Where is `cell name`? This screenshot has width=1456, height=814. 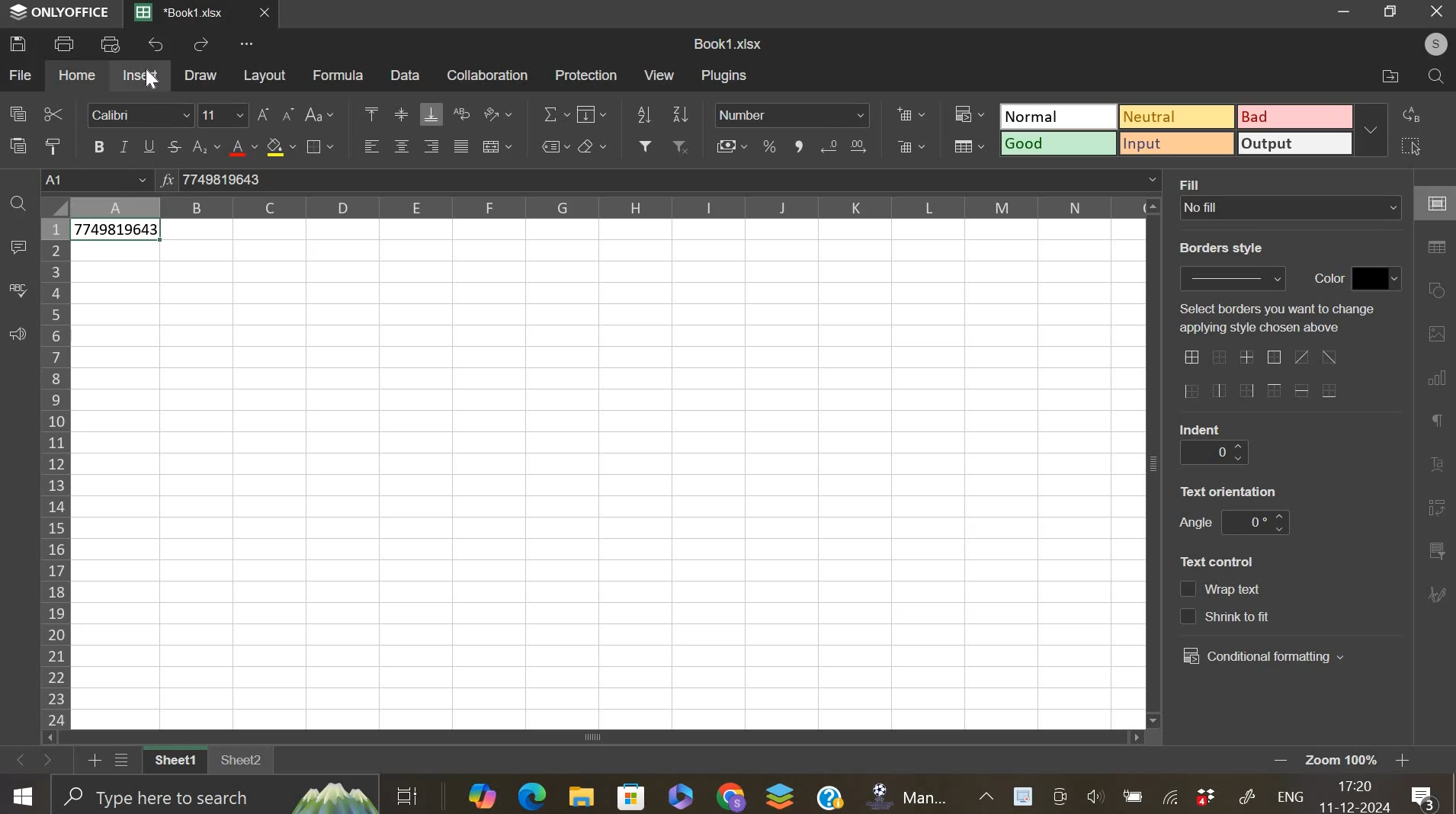
cell name is located at coordinates (98, 181).